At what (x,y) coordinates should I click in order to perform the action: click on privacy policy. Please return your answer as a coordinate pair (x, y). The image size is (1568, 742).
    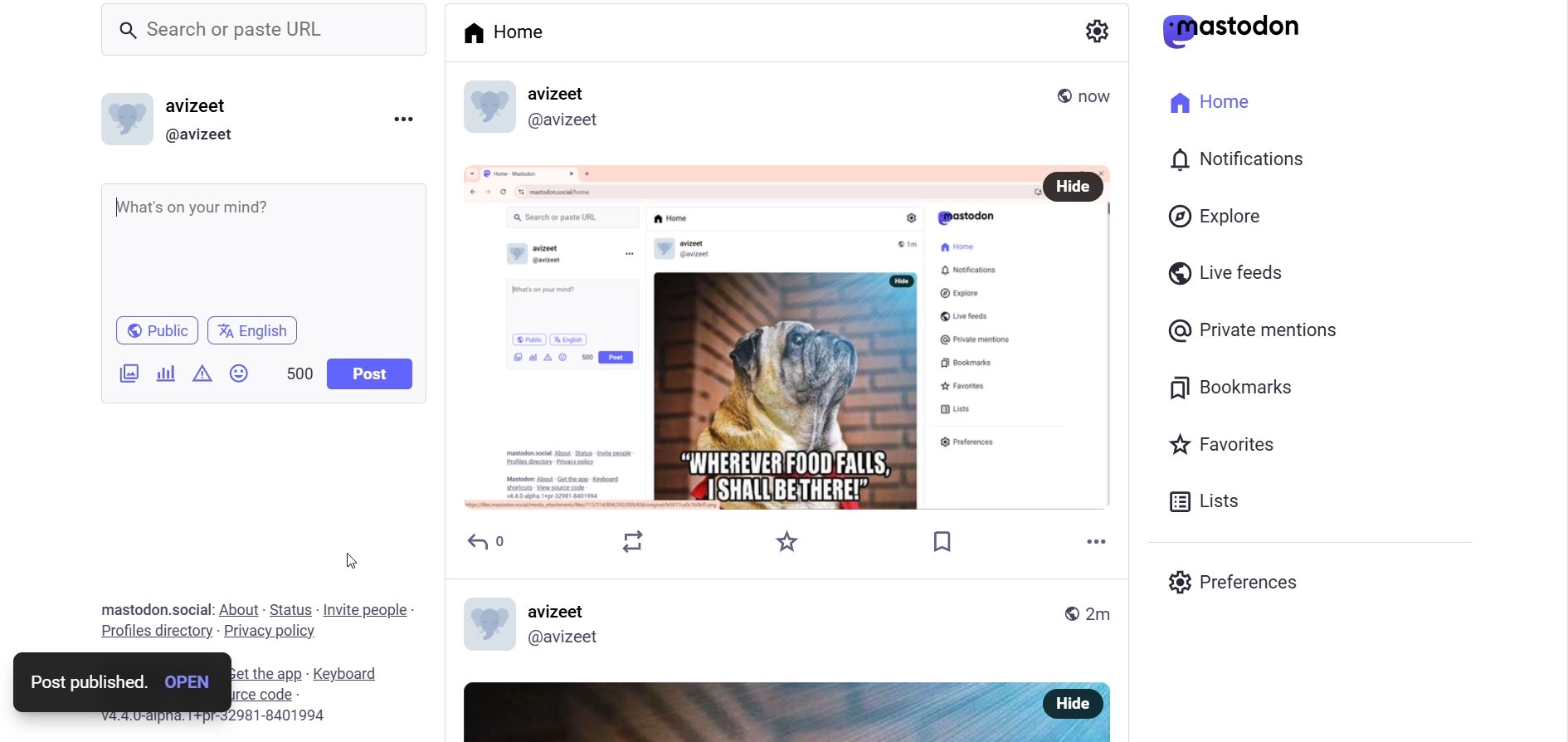
    Looking at the image, I should click on (282, 631).